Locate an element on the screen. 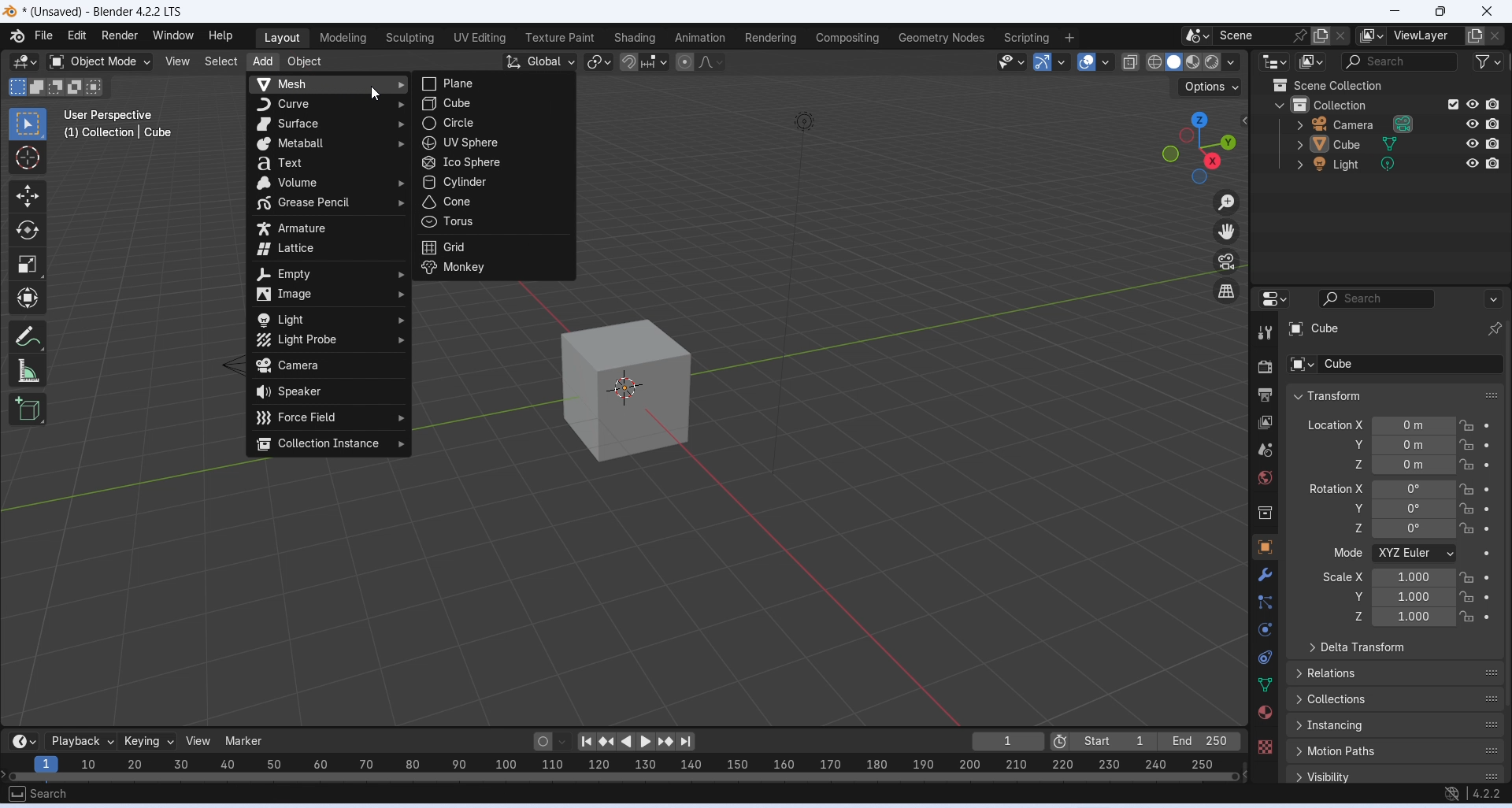 This screenshot has height=808, width=1512. active workspace view layer is located at coordinates (1372, 35).